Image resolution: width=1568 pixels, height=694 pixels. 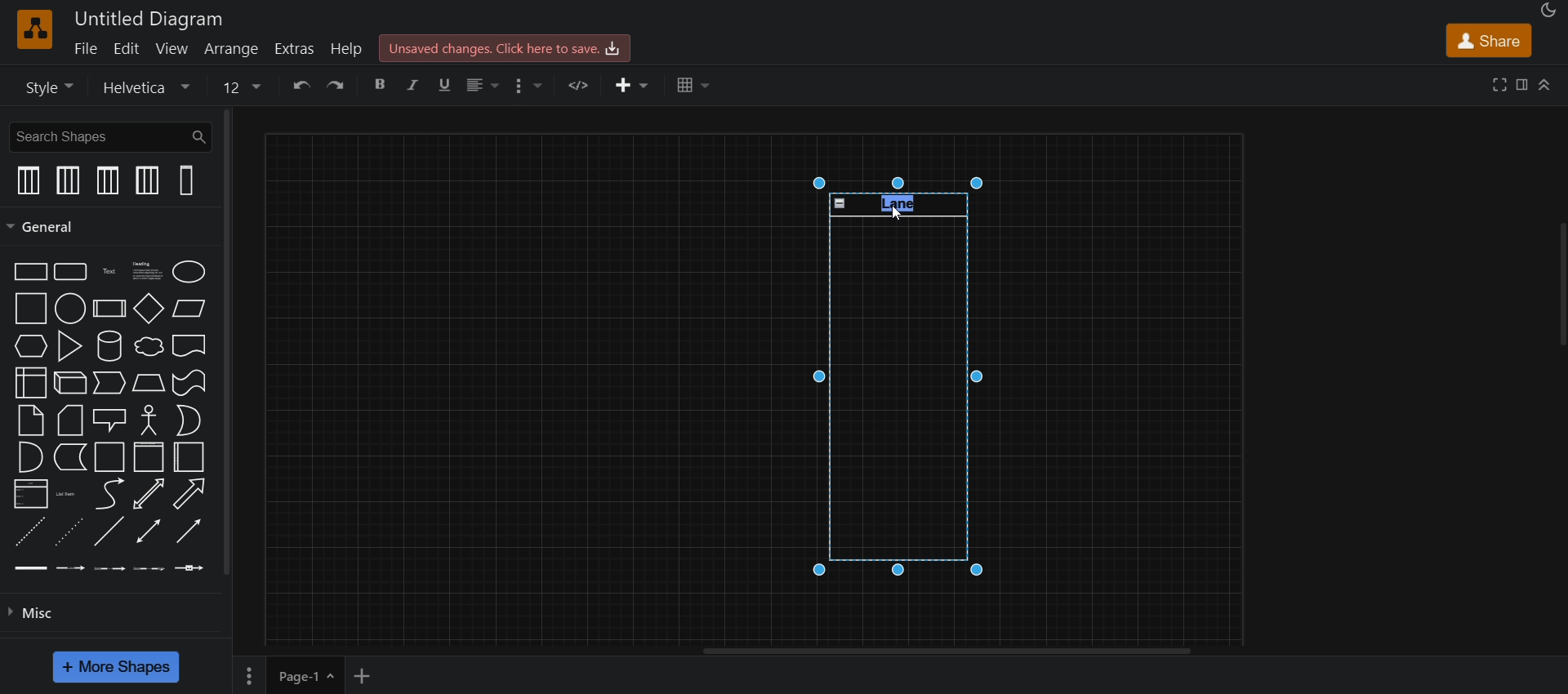 I want to click on title, so click(x=145, y=19).